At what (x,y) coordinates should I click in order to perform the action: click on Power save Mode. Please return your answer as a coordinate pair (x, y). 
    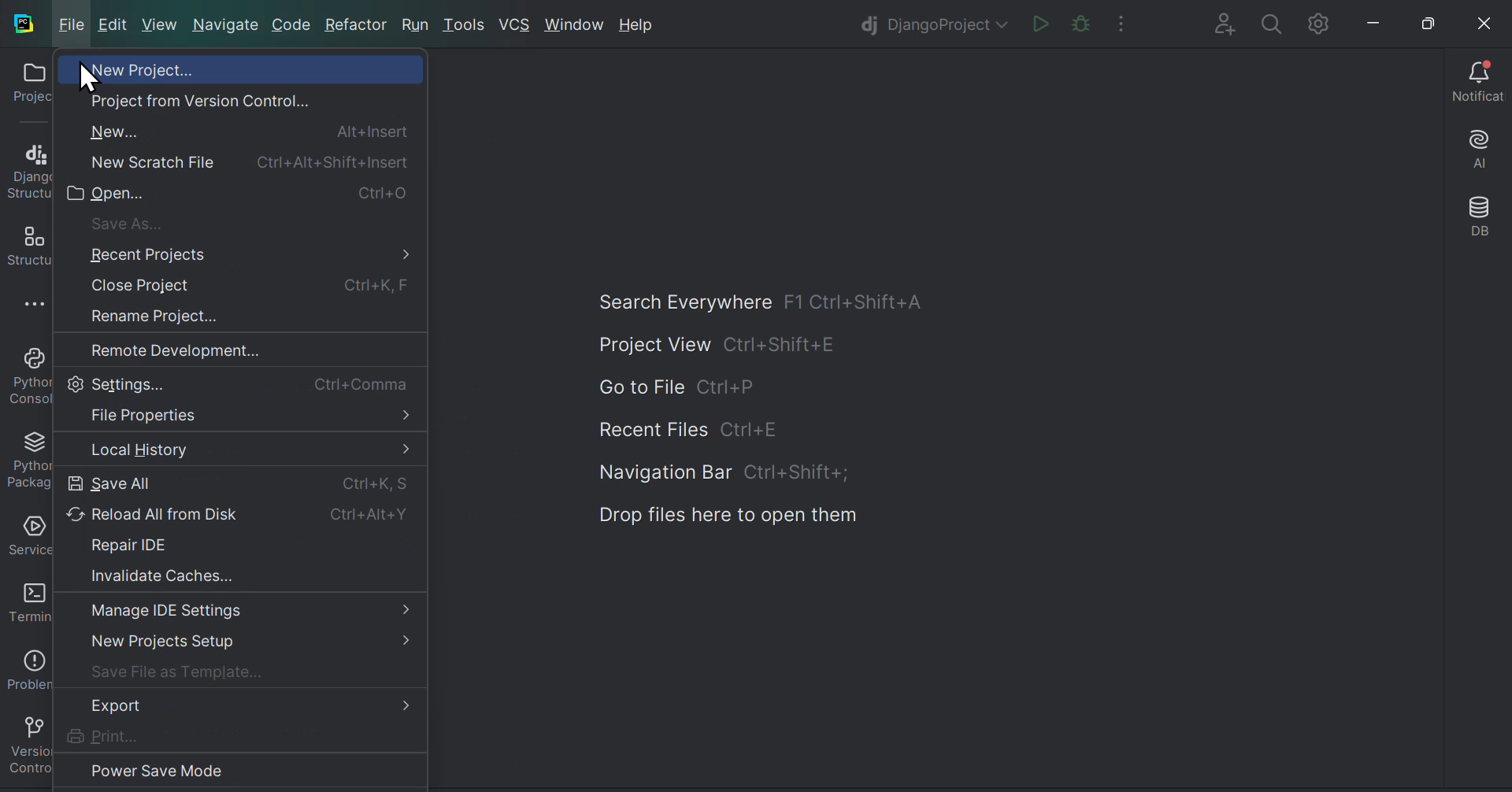
    Looking at the image, I should click on (162, 769).